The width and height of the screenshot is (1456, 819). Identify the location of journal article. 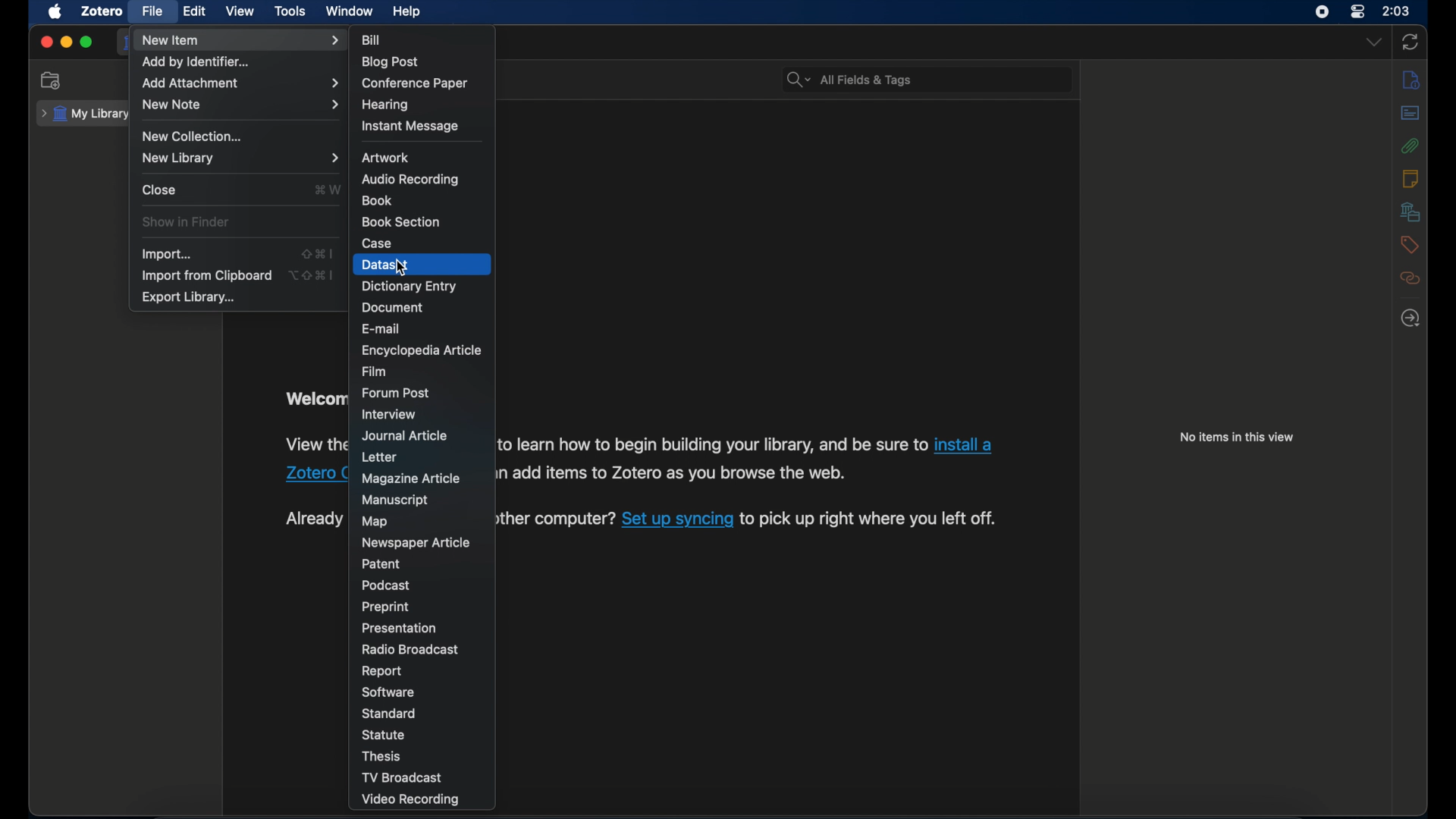
(403, 435).